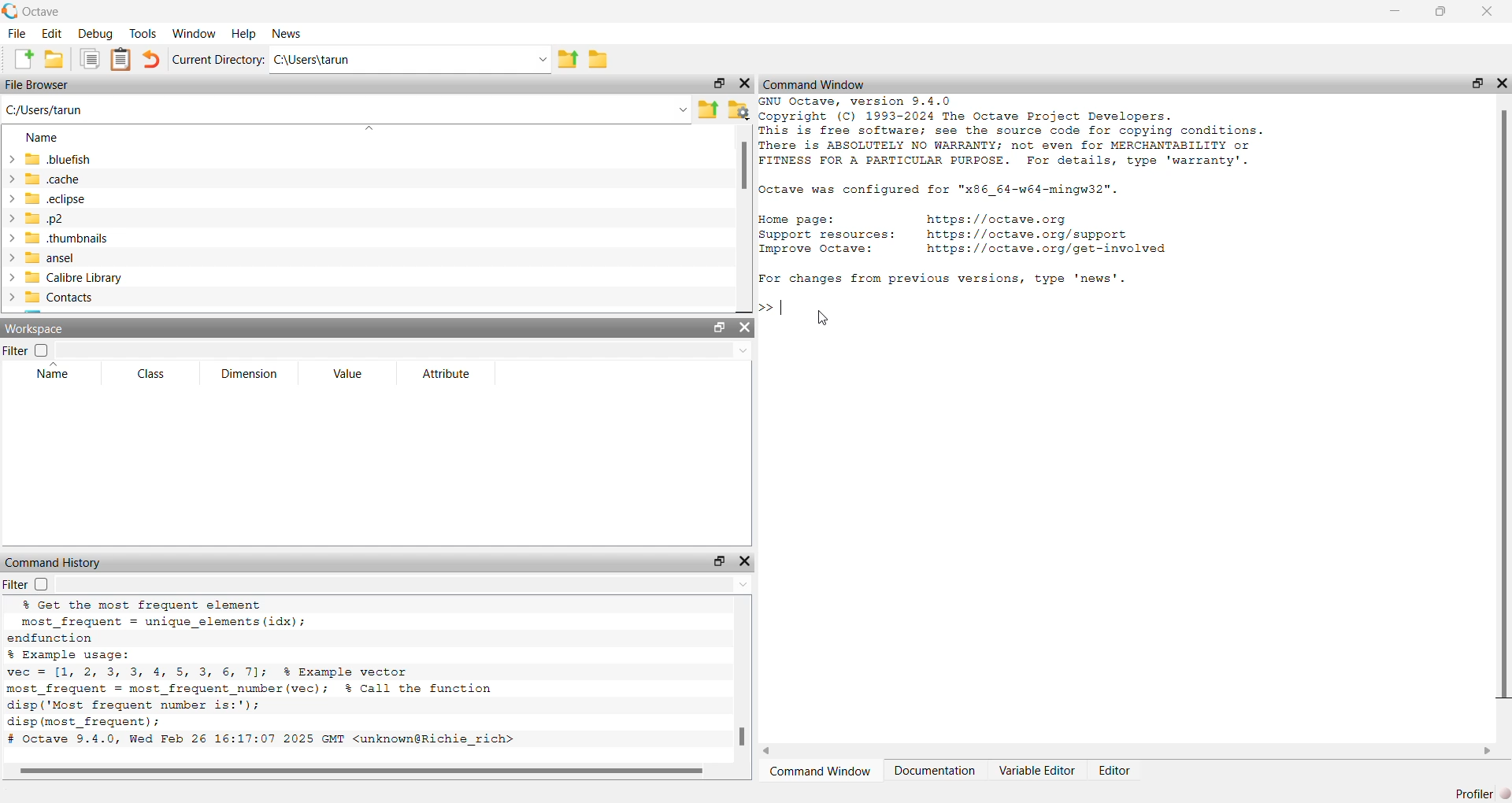 The height and width of the screenshot is (803, 1512). What do you see at coordinates (10, 178) in the screenshot?
I see `expand/collapse` at bounding box center [10, 178].